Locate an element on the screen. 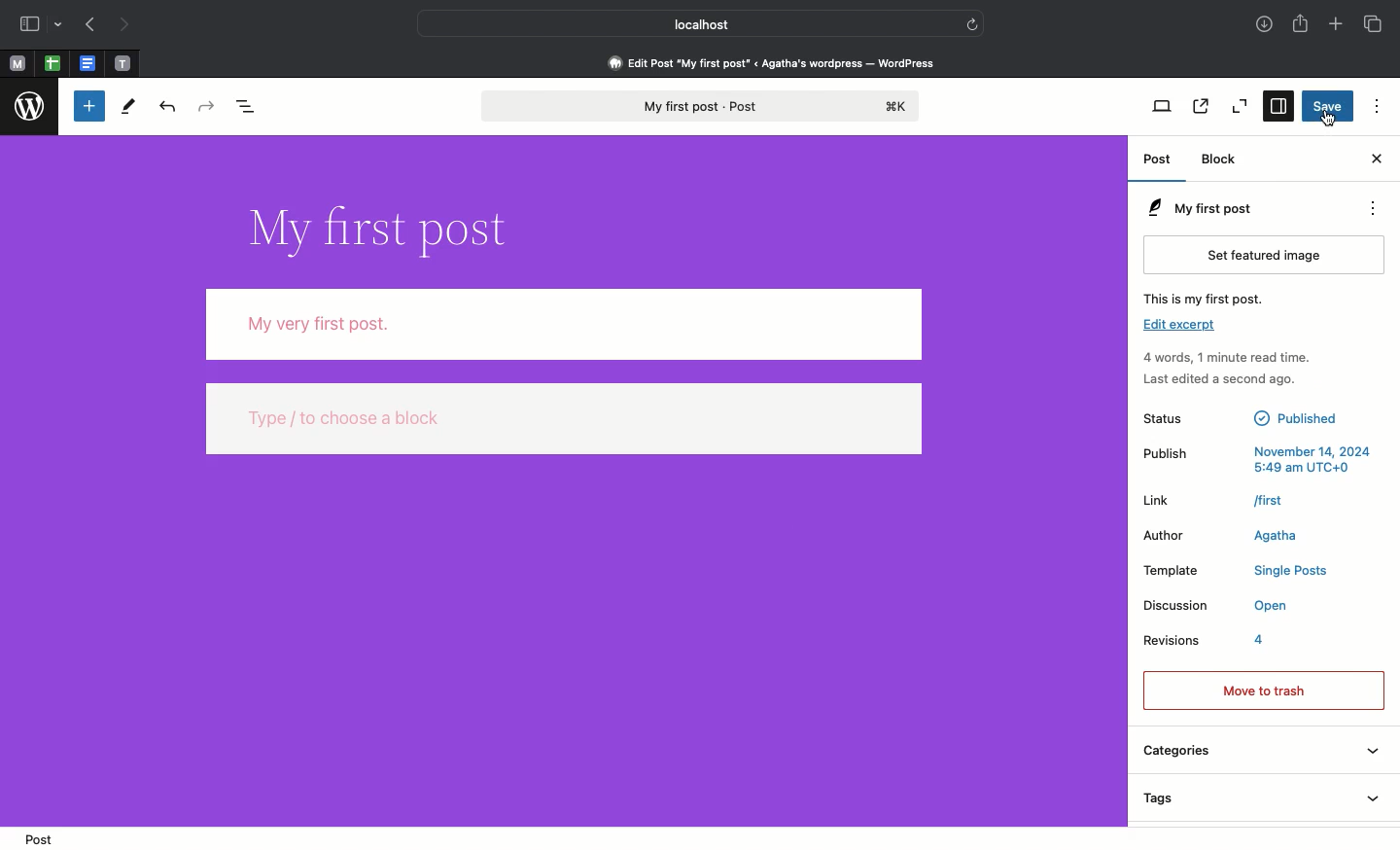 Image resolution: width=1400 pixels, height=850 pixels. text tab is located at coordinates (122, 59).